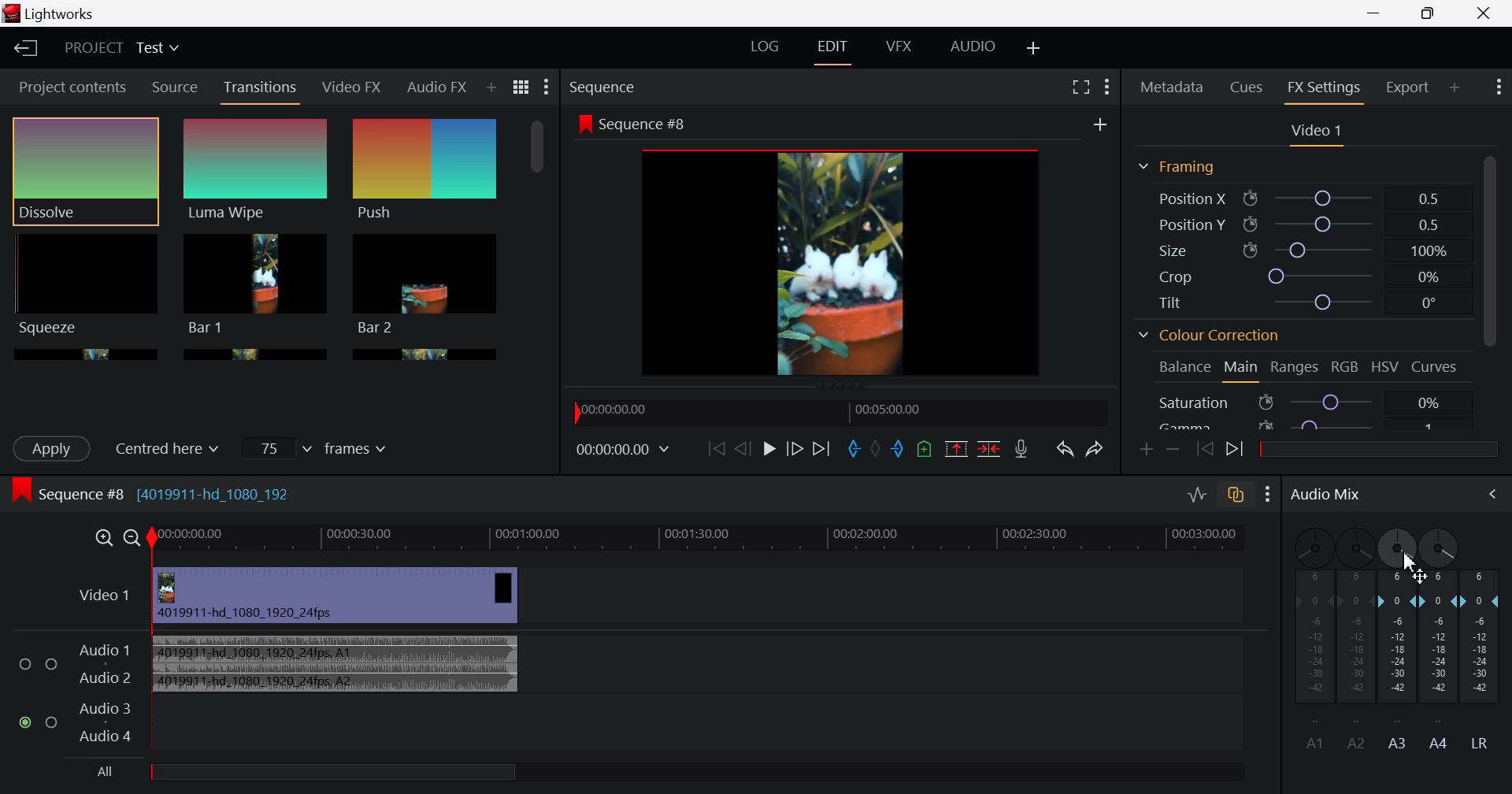 This screenshot has height=794, width=1512. What do you see at coordinates (1180, 167) in the screenshot?
I see `Framing Section` at bounding box center [1180, 167].